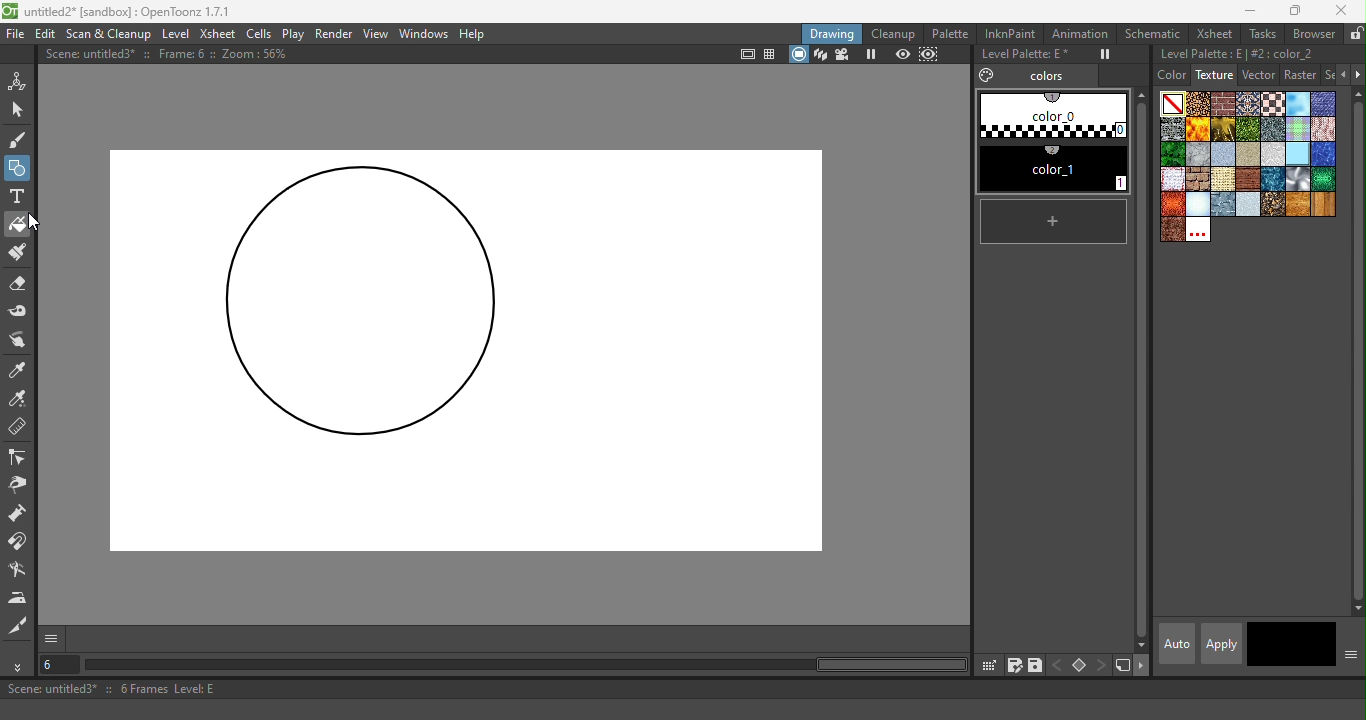 The width and height of the screenshot is (1366, 720). Describe the element at coordinates (833, 33) in the screenshot. I see `Drawing` at that location.